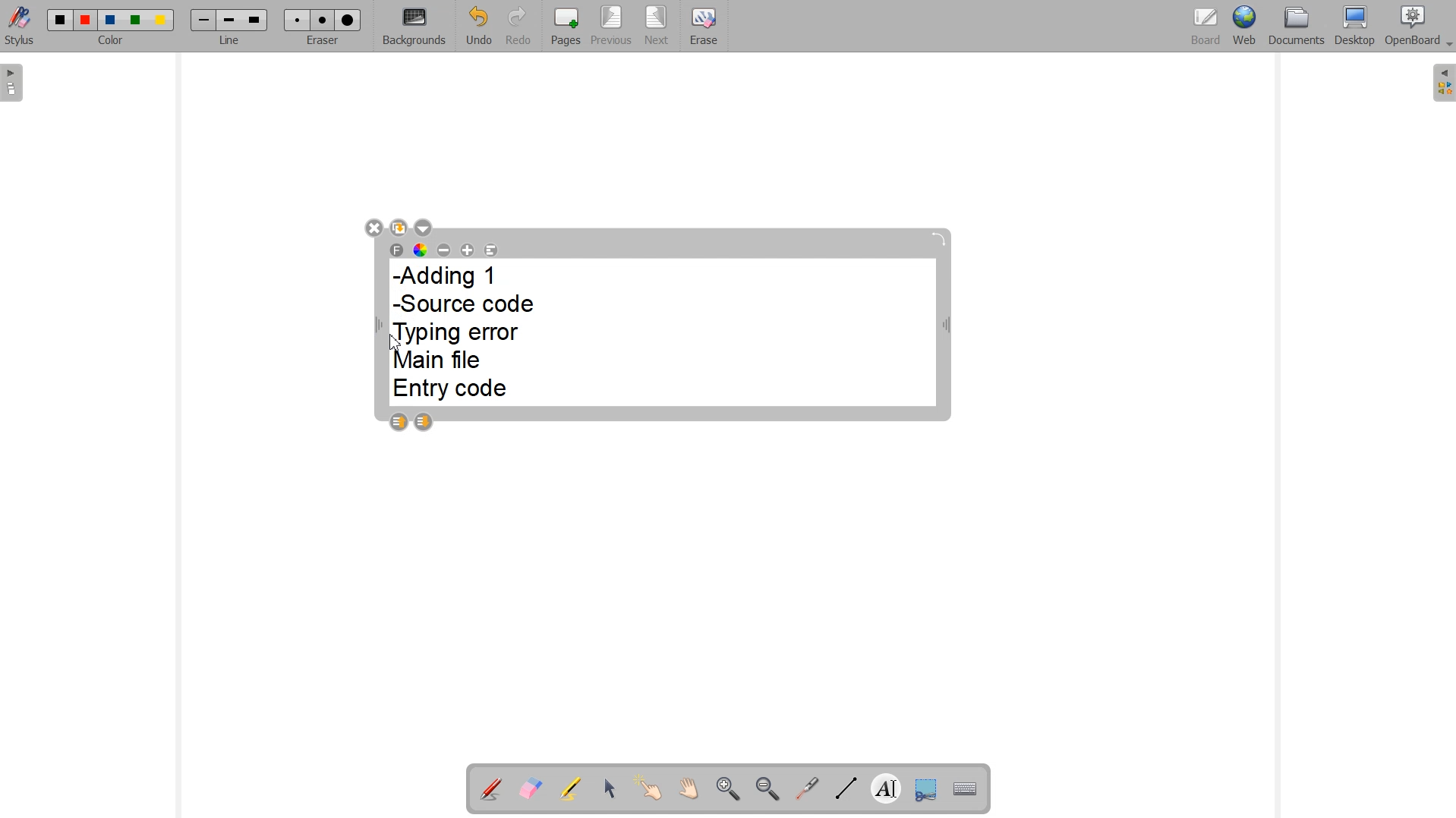 The image size is (1456, 818). What do you see at coordinates (925, 788) in the screenshot?
I see `Capture part of the screen` at bounding box center [925, 788].